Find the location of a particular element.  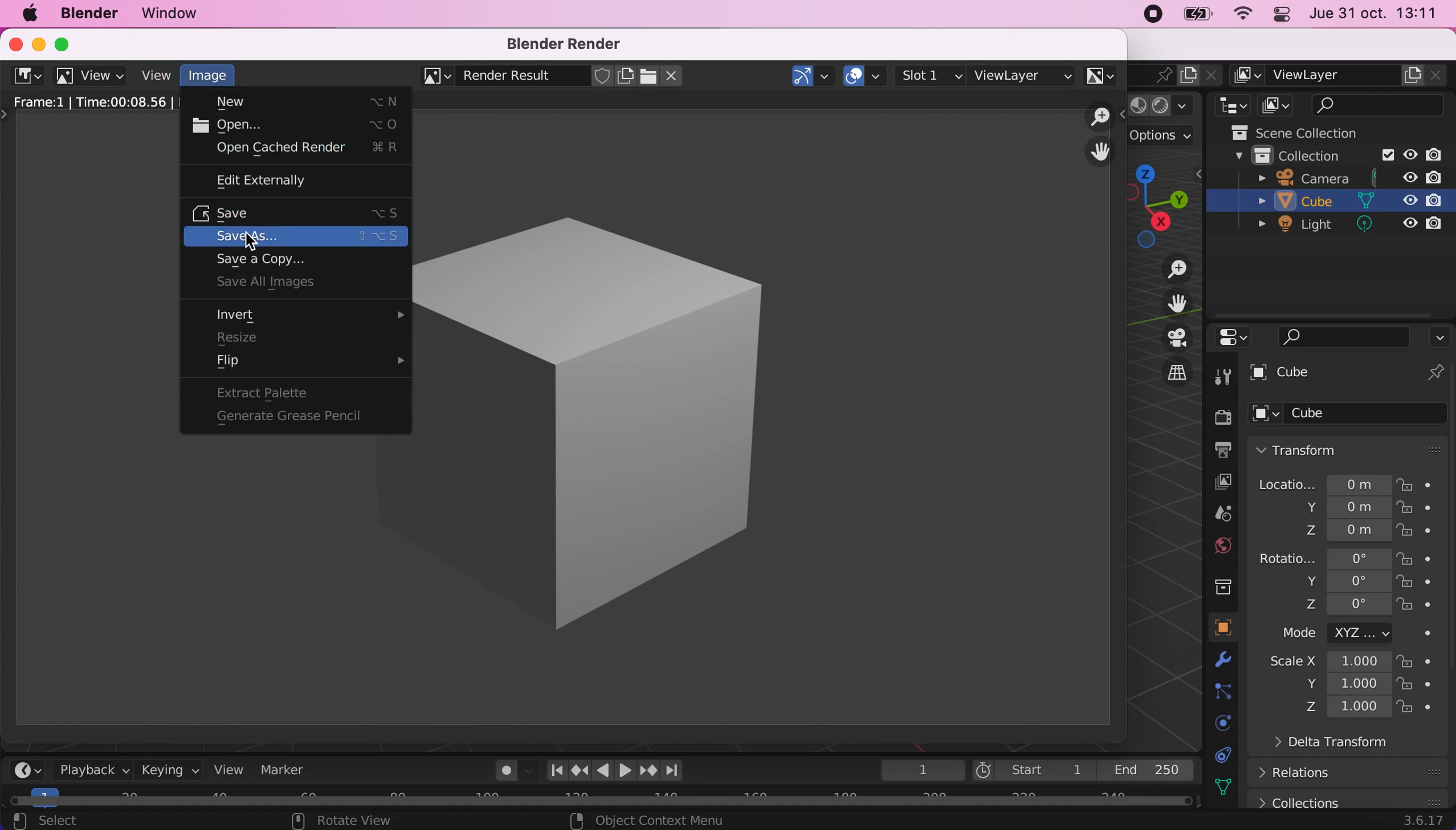

scene is located at coordinates (1155, 74).